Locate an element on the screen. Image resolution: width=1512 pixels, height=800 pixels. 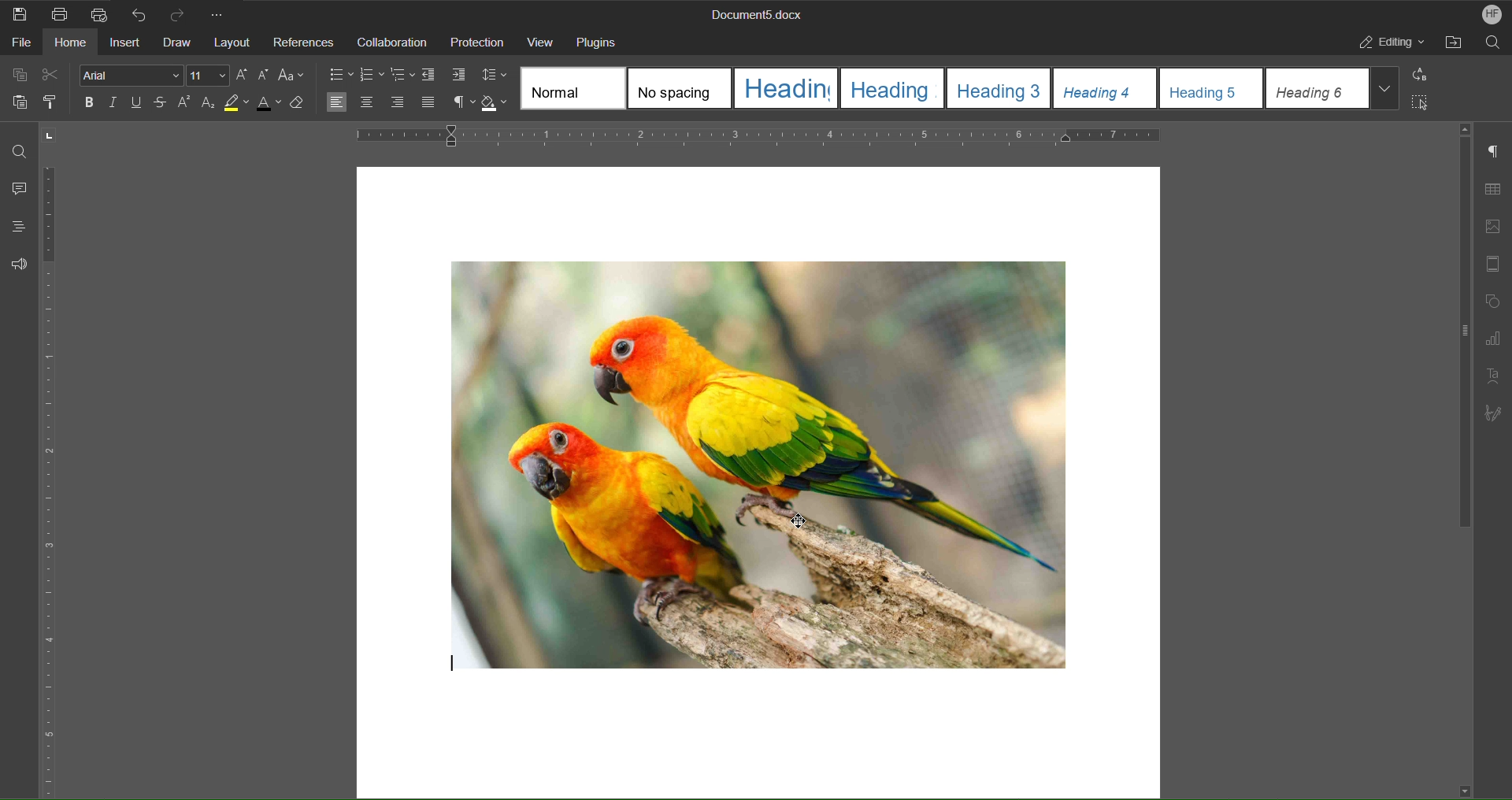
Italic is located at coordinates (113, 103).